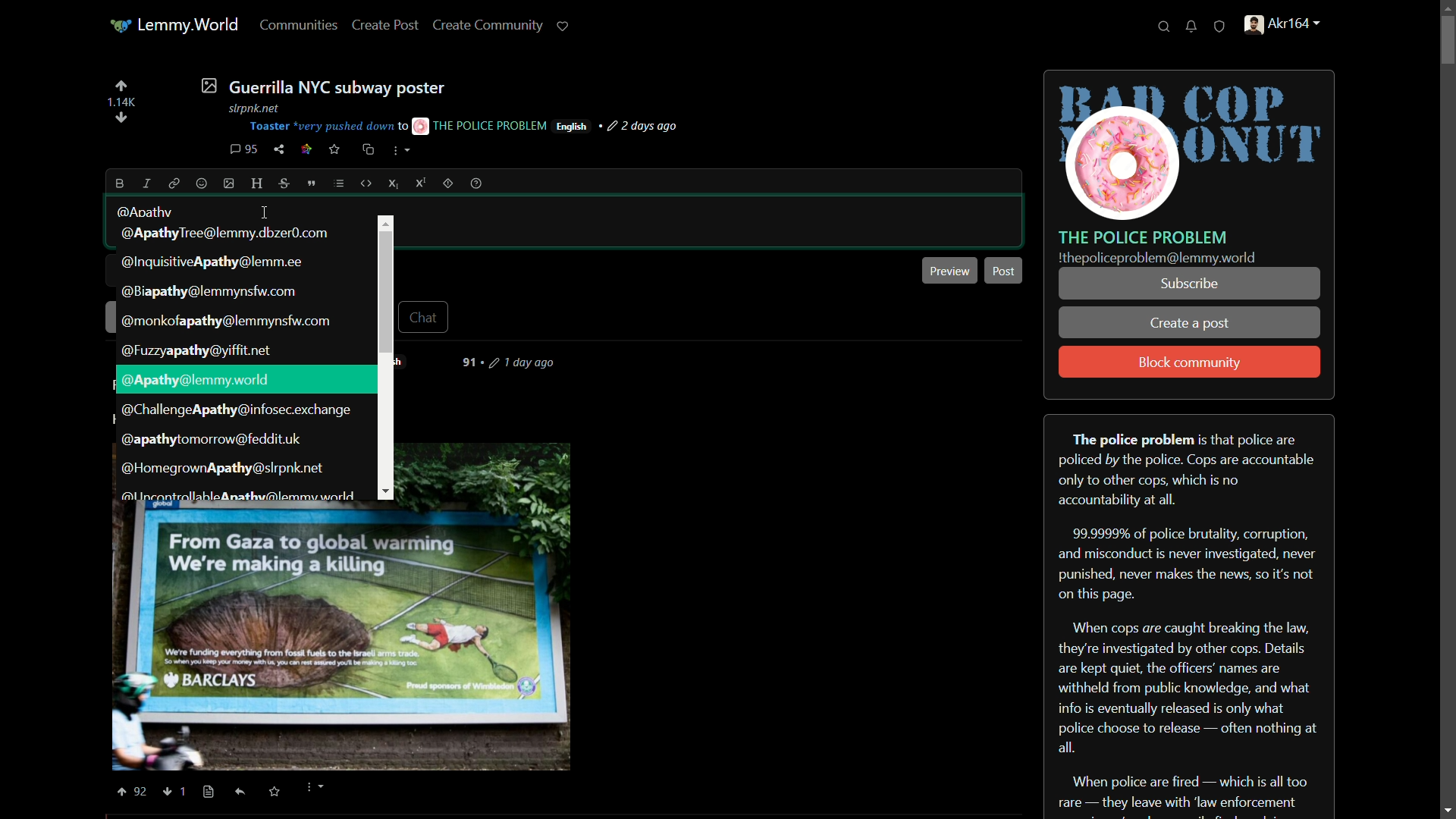  What do you see at coordinates (272, 792) in the screenshot?
I see `saved` at bounding box center [272, 792].